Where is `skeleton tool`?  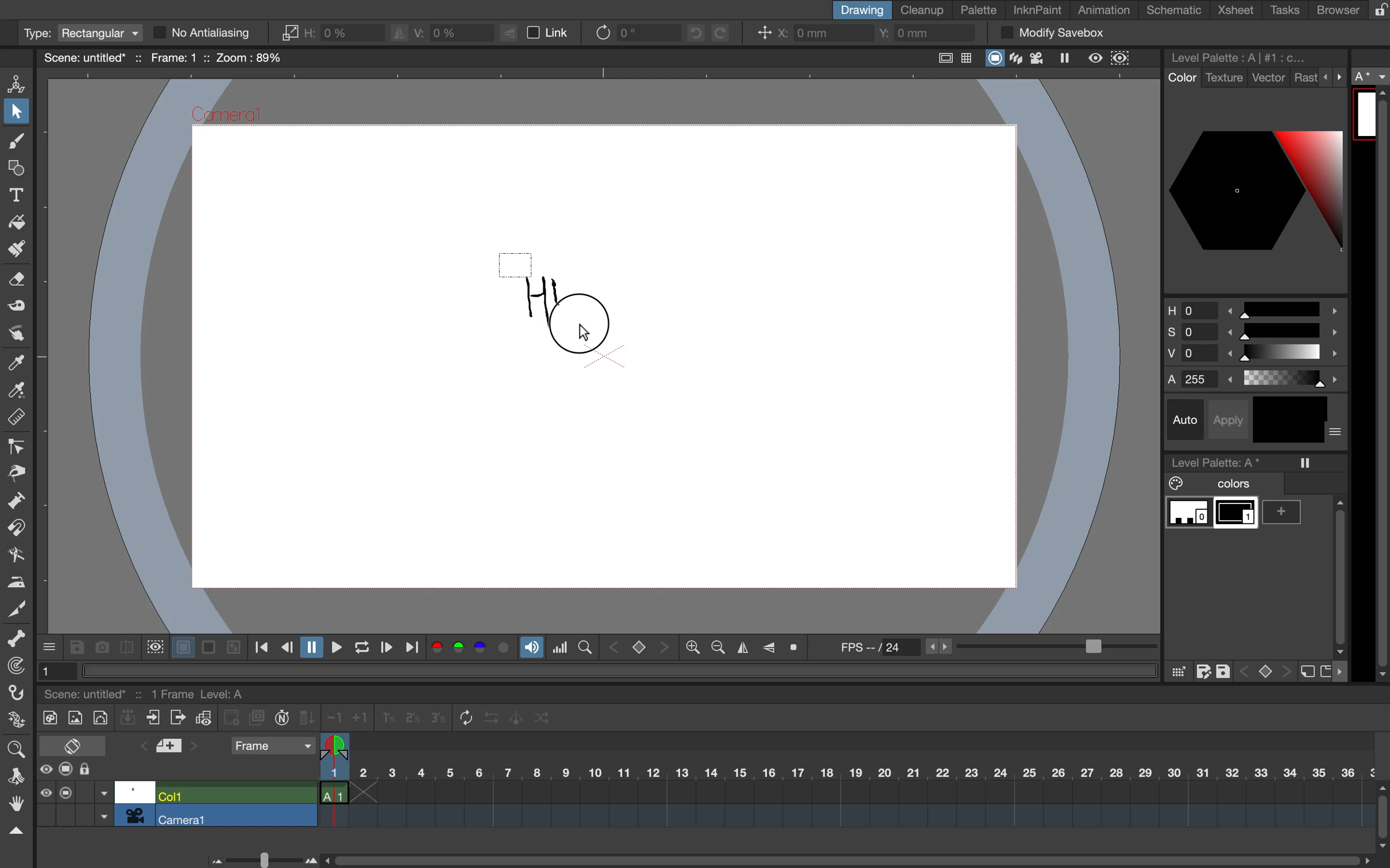
skeleton tool is located at coordinates (17, 639).